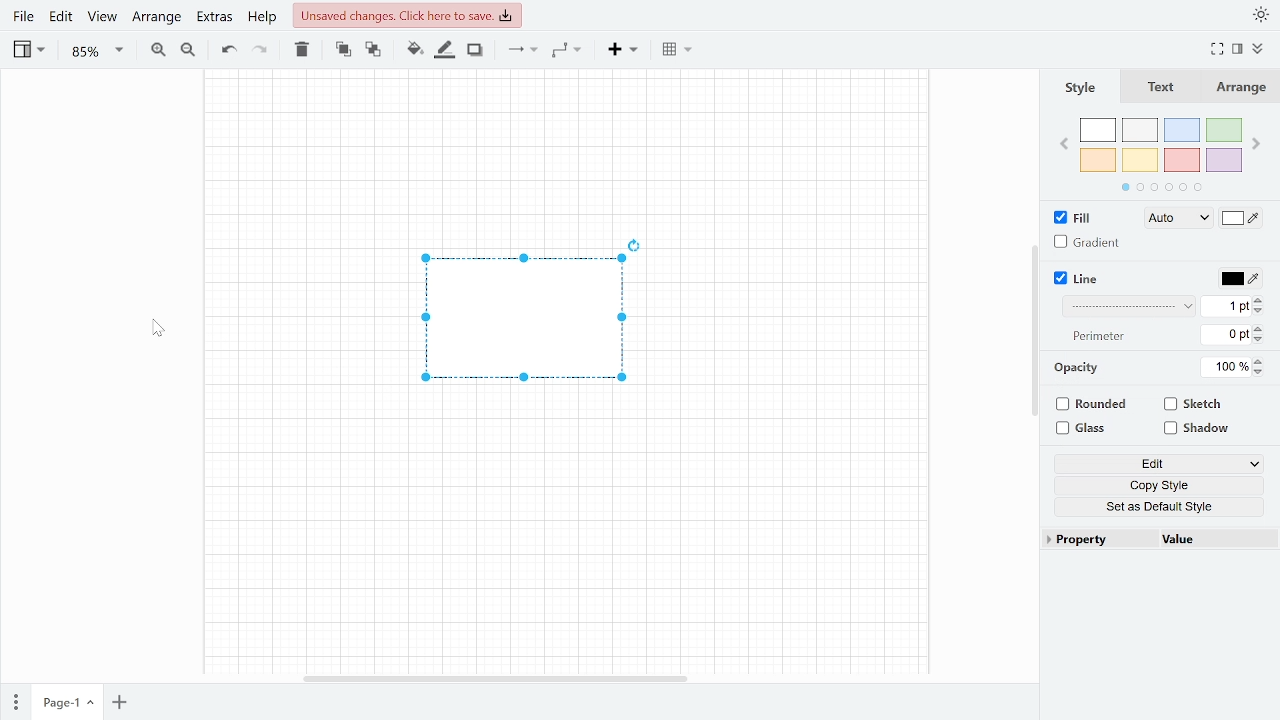  I want to click on Unsaved changes. Click here to save., so click(408, 13).